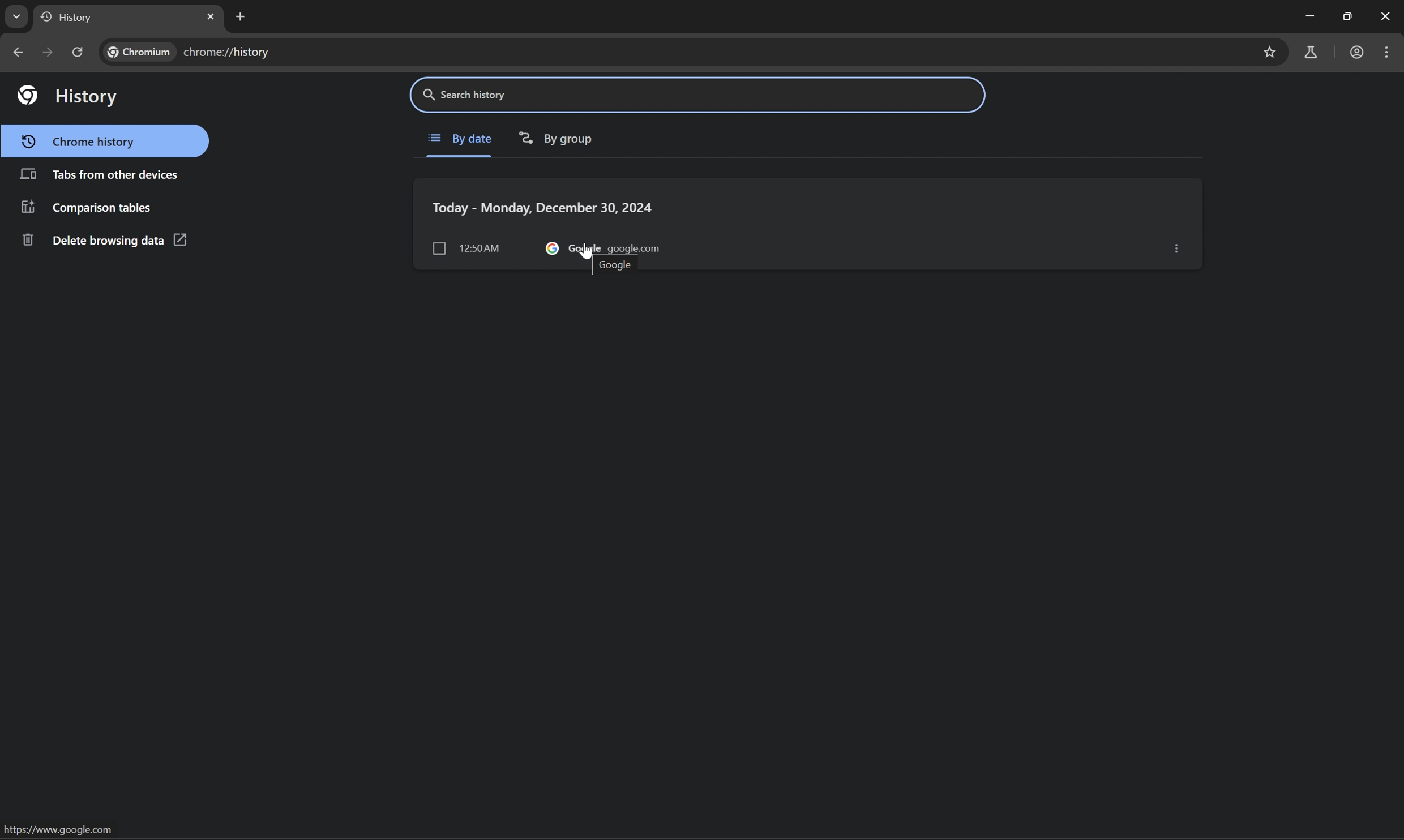 The image size is (1404, 840). What do you see at coordinates (1271, 52) in the screenshot?
I see `bookmarks` at bounding box center [1271, 52].